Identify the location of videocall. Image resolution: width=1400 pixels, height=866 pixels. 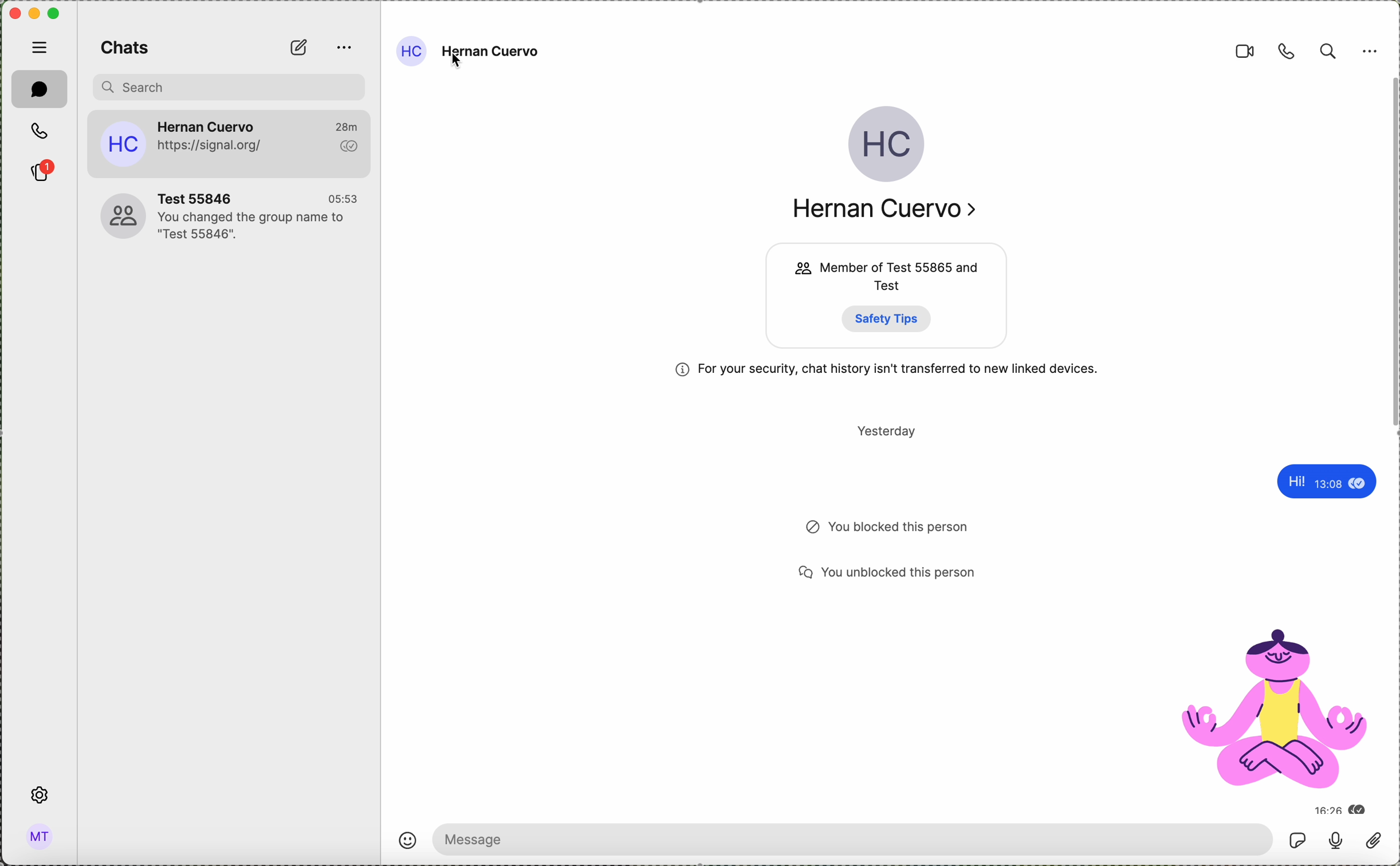
(1247, 51).